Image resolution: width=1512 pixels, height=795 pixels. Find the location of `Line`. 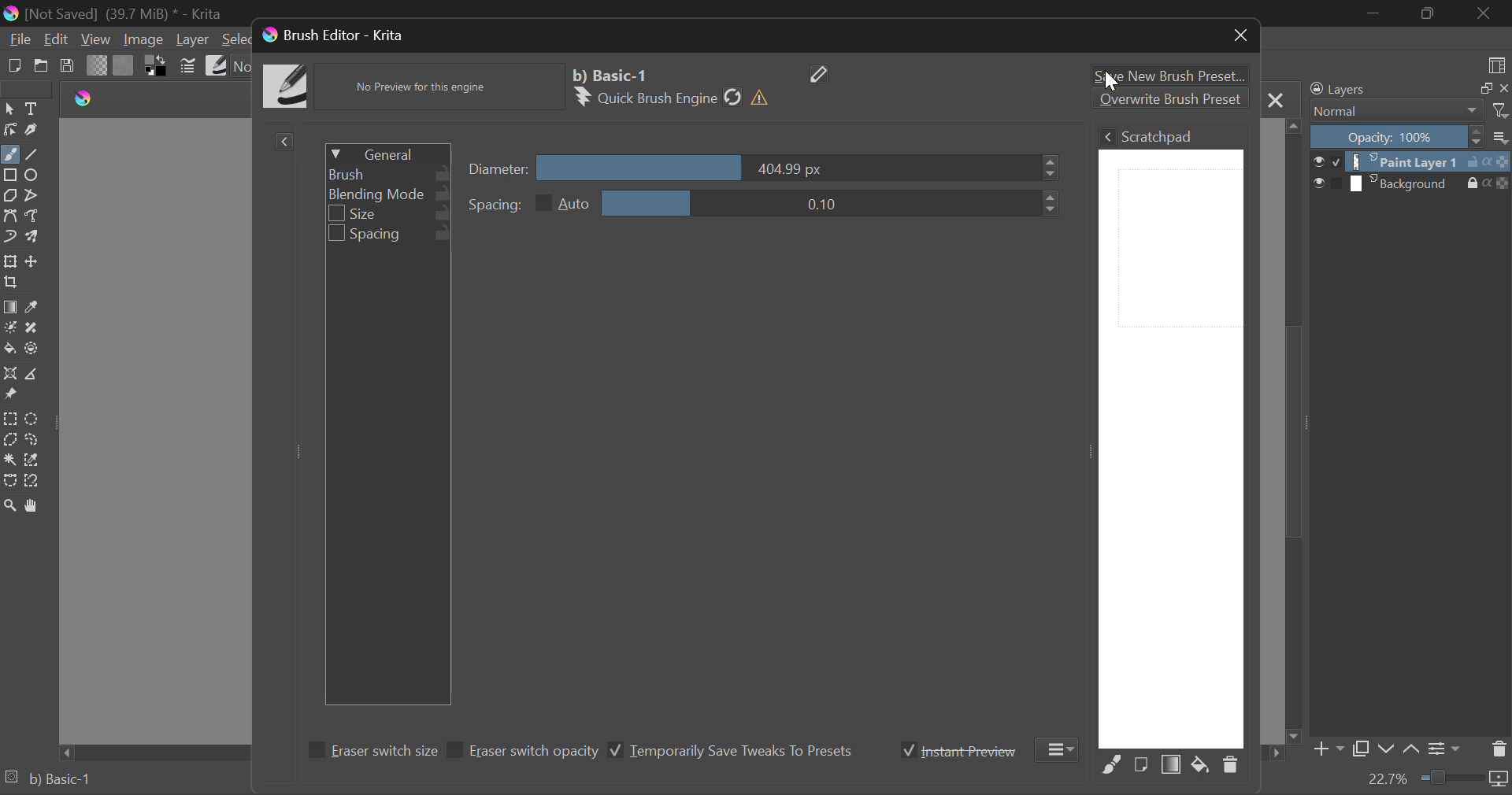

Line is located at coordinates (32, 153).